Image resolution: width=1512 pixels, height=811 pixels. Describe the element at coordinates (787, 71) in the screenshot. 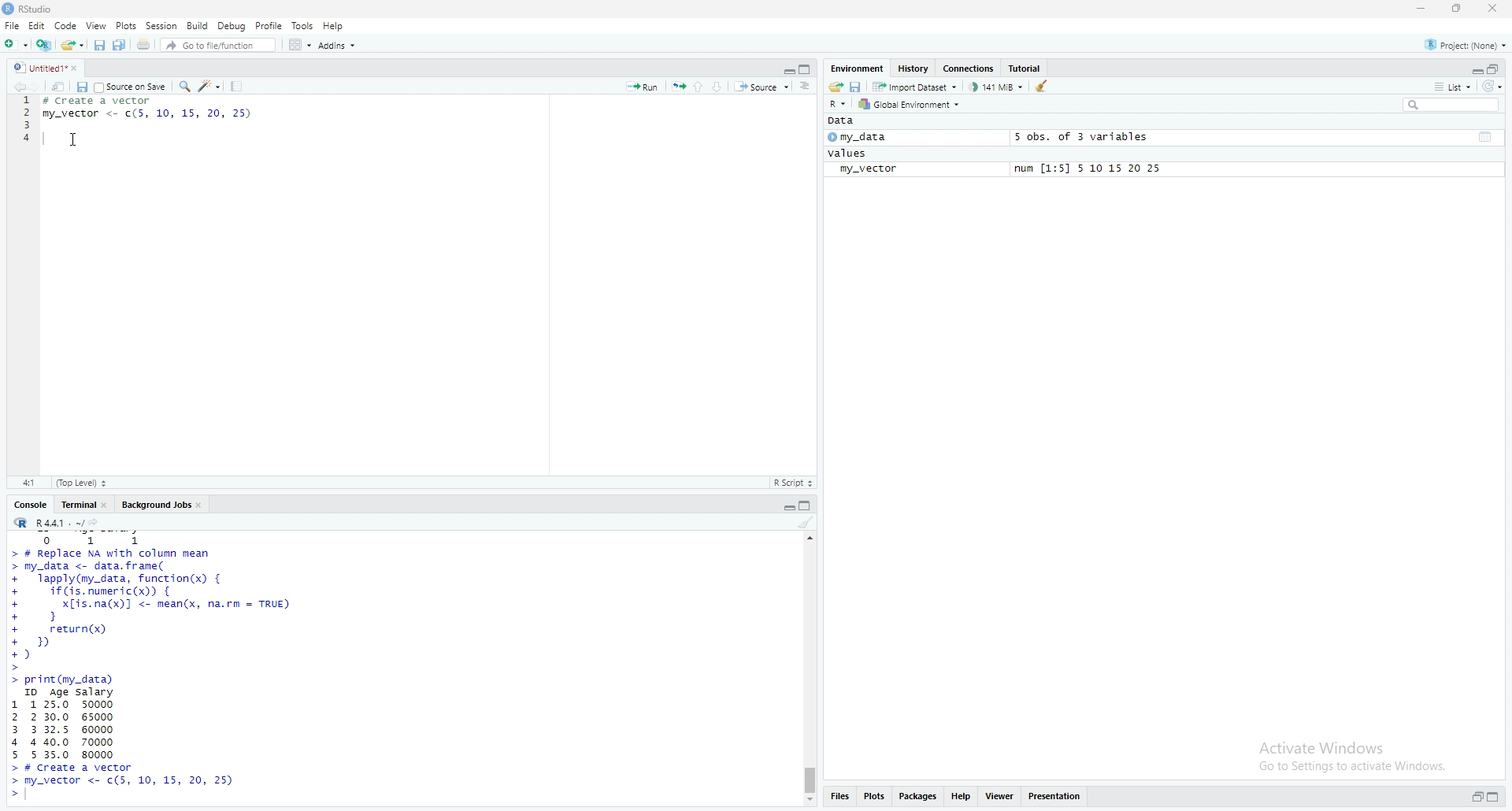

I see `expand` at that location.